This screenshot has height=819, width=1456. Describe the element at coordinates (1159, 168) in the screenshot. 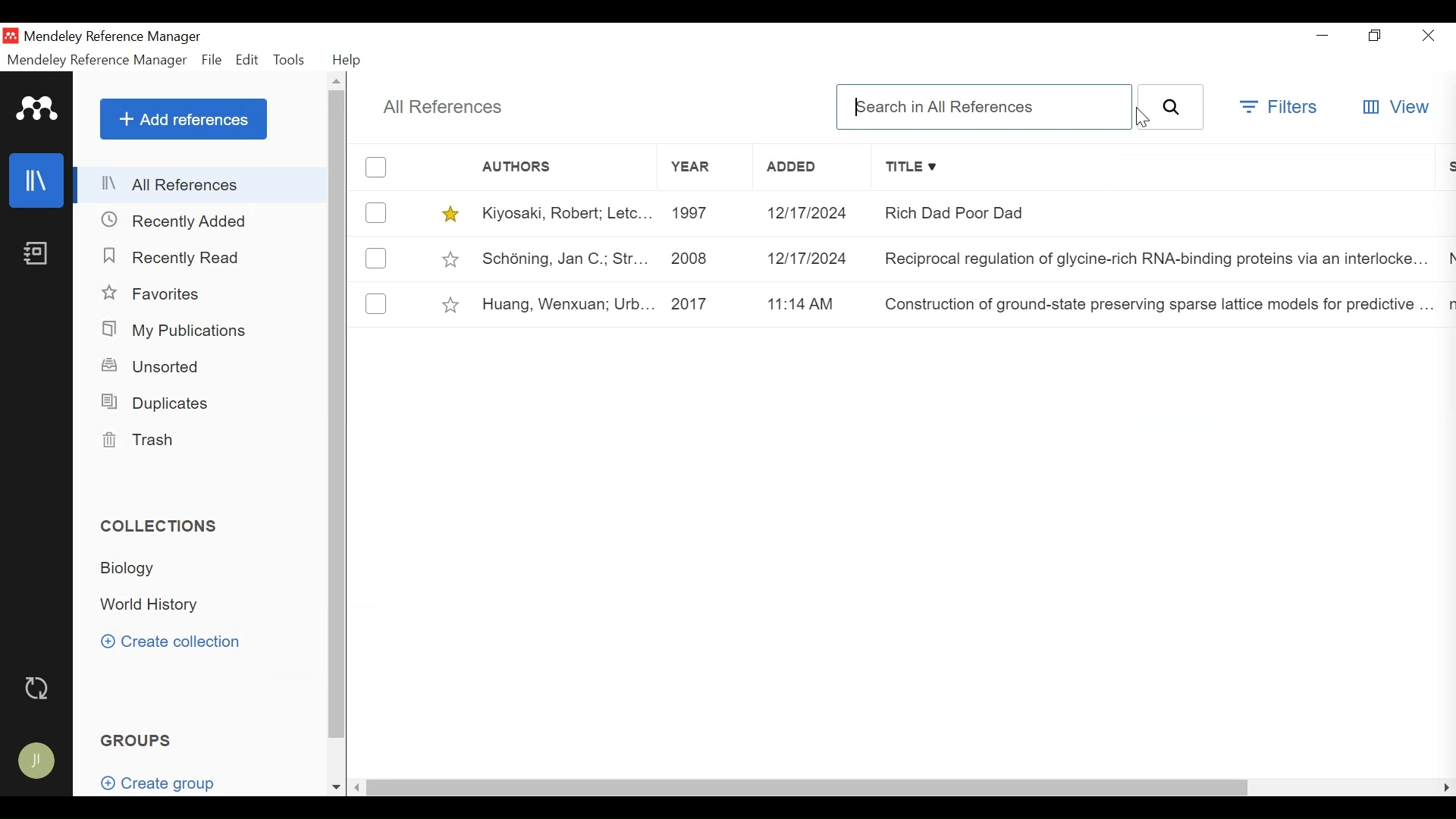

I see `Title` at that location.